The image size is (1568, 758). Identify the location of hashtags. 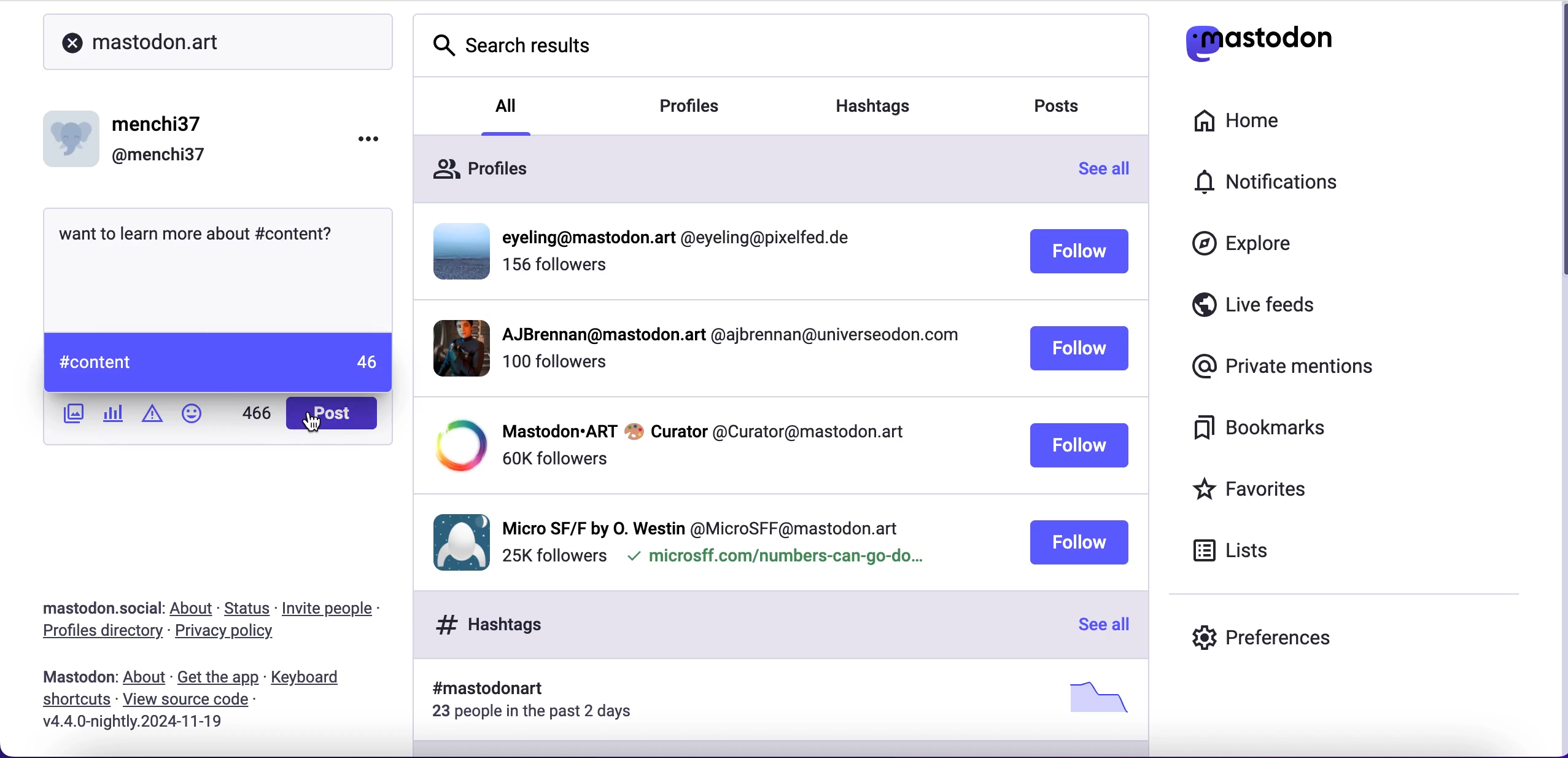
(483, 624).